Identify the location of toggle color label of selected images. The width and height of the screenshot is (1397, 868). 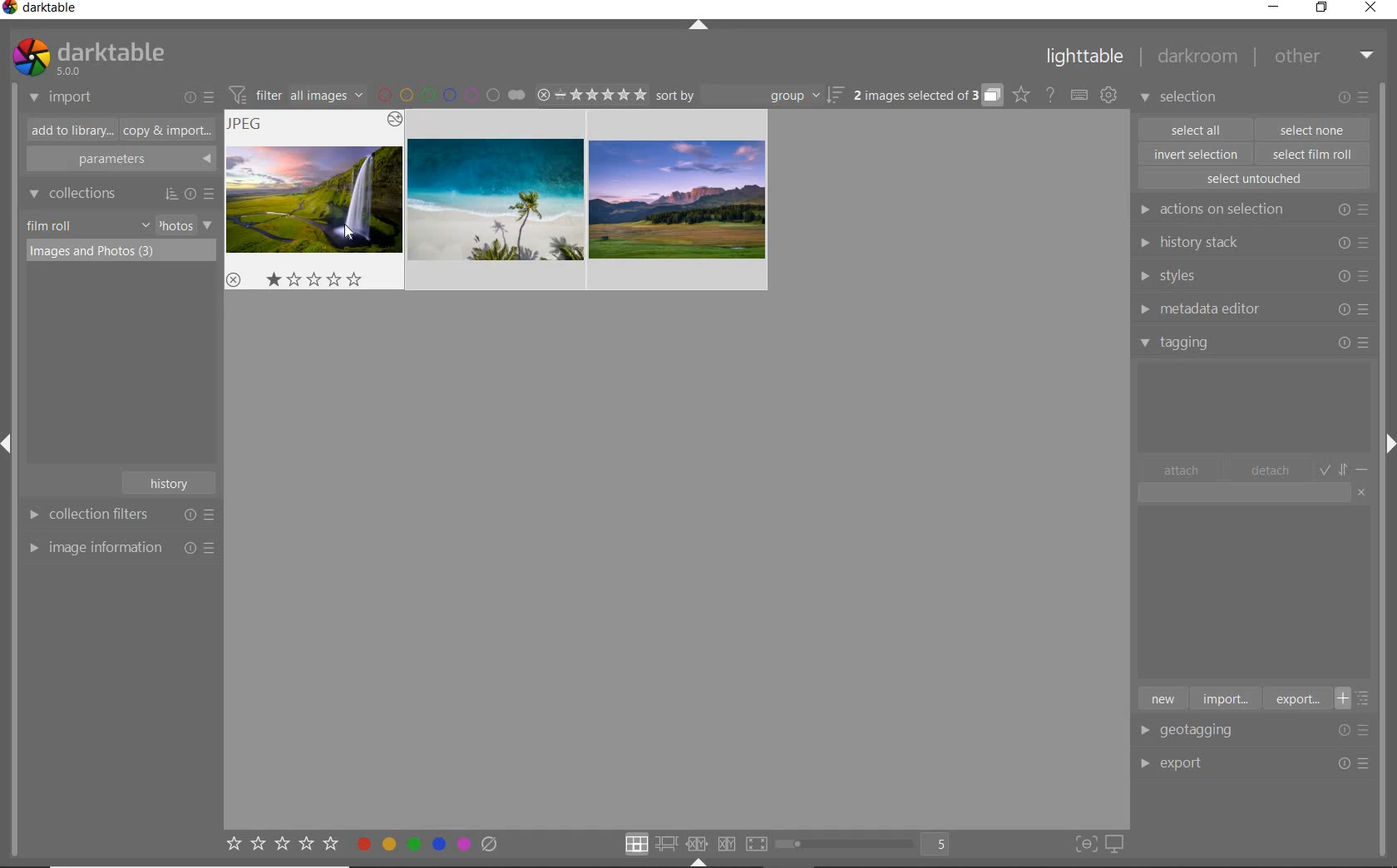
(428, 843).